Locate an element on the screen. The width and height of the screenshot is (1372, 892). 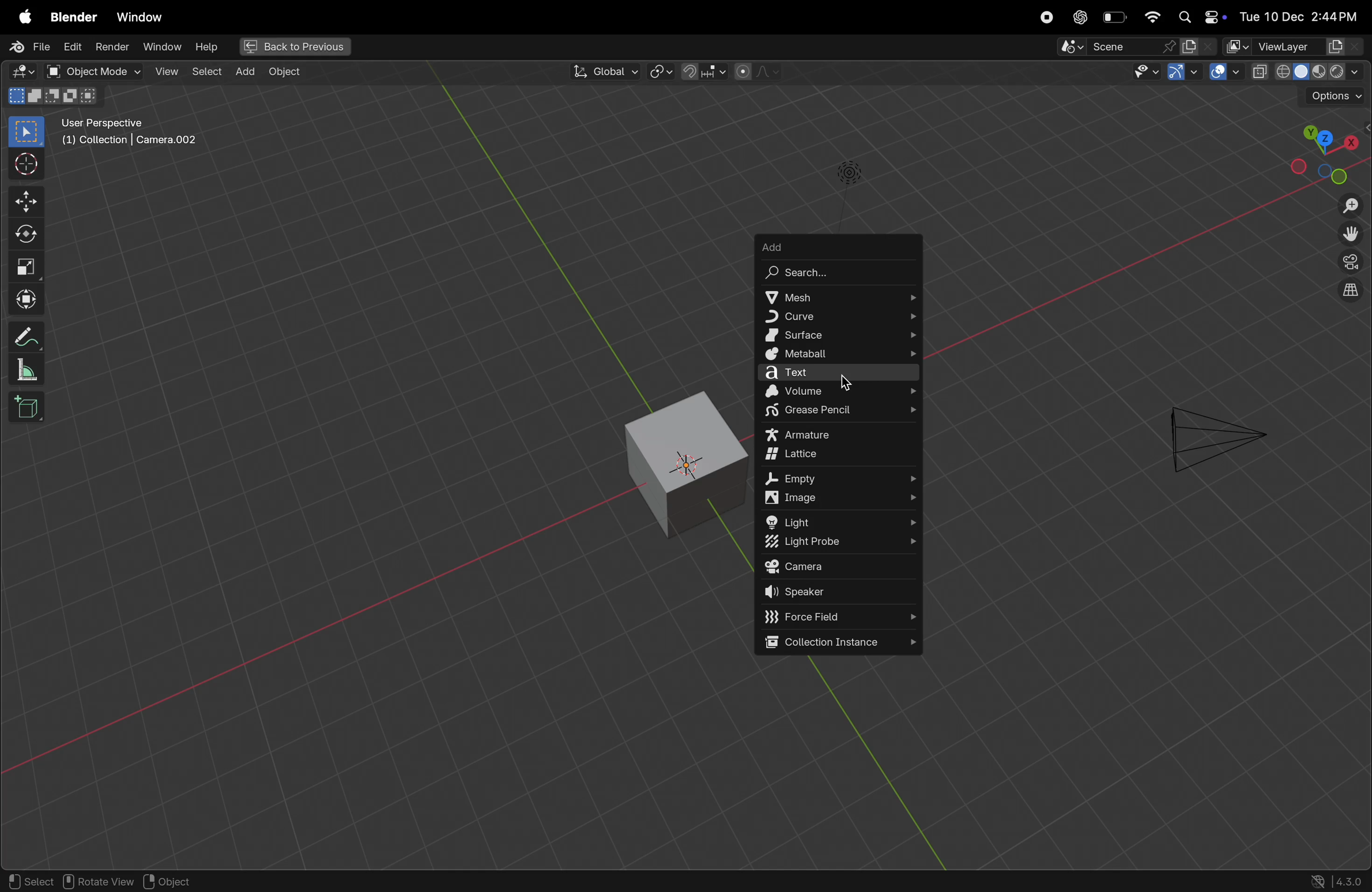
Add is located at coordinates (839, 247).